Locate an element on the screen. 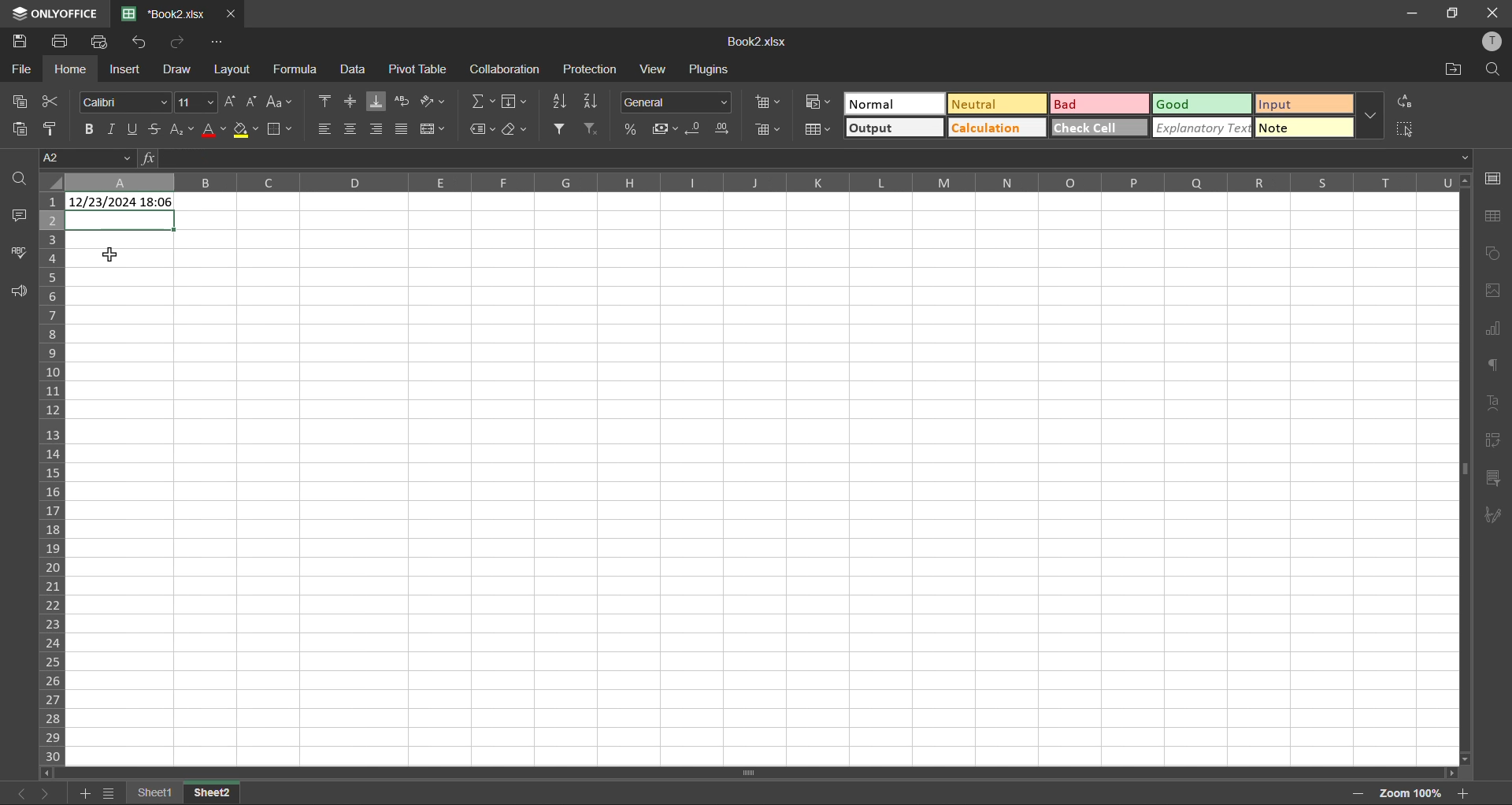 This screenshot has height=805, width=1512. row numbers is located at coordinates (54, 478).